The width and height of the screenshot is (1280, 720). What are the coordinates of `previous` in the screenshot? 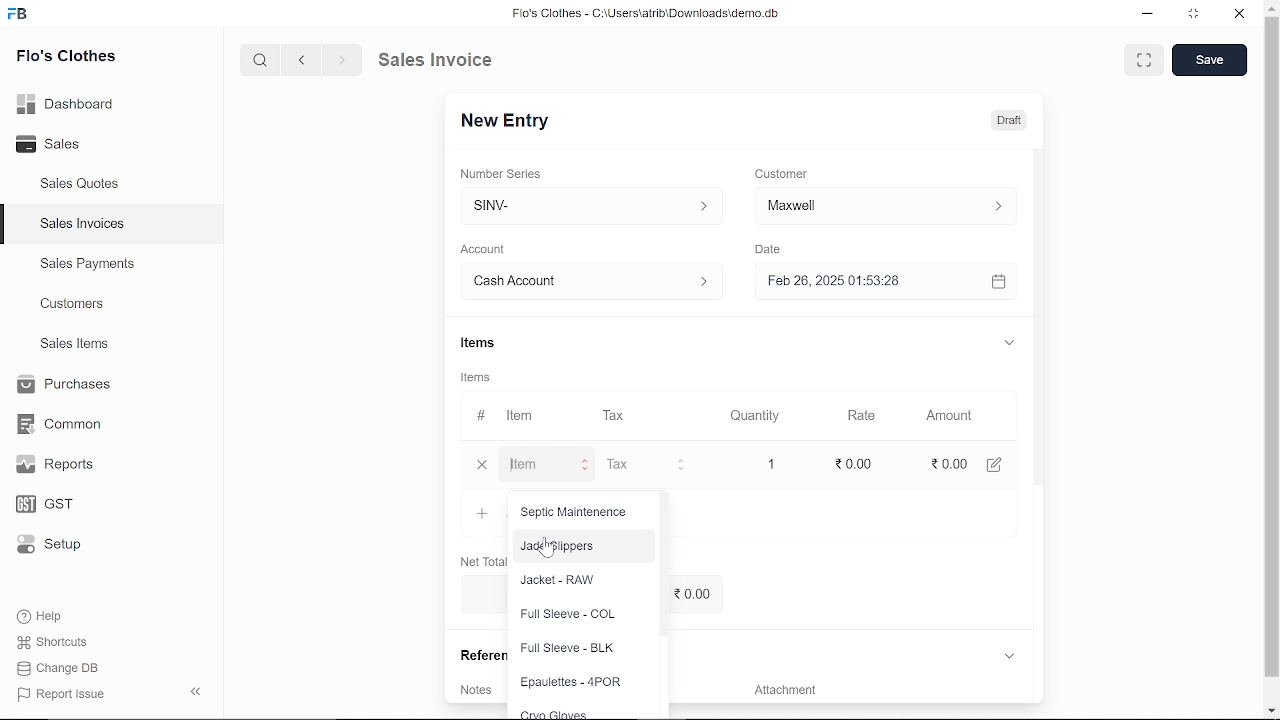 It's located at (302, 59).